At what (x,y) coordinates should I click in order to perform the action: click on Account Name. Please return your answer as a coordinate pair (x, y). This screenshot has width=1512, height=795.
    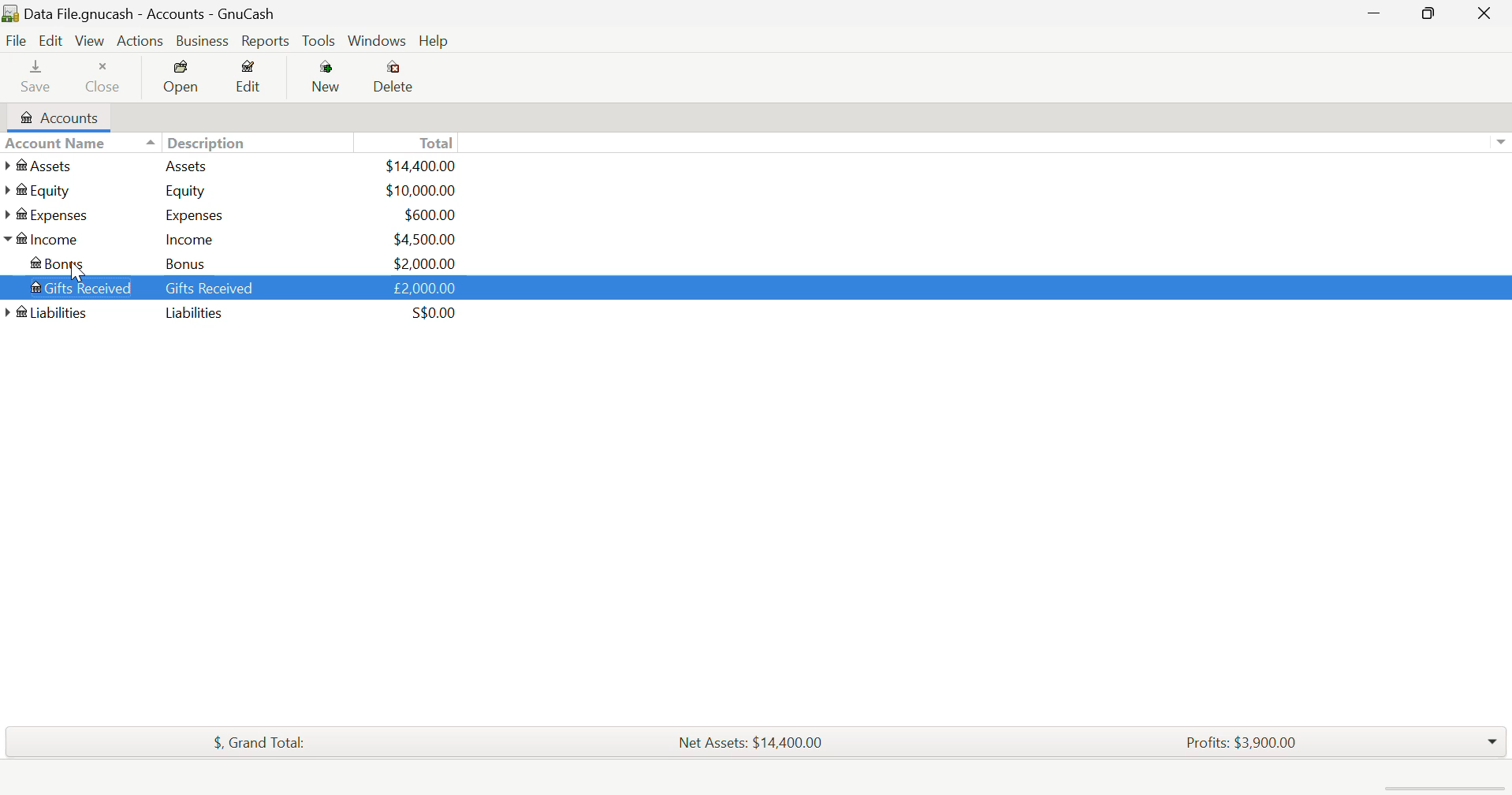
    Looking at the image, I should click on (55, 144).